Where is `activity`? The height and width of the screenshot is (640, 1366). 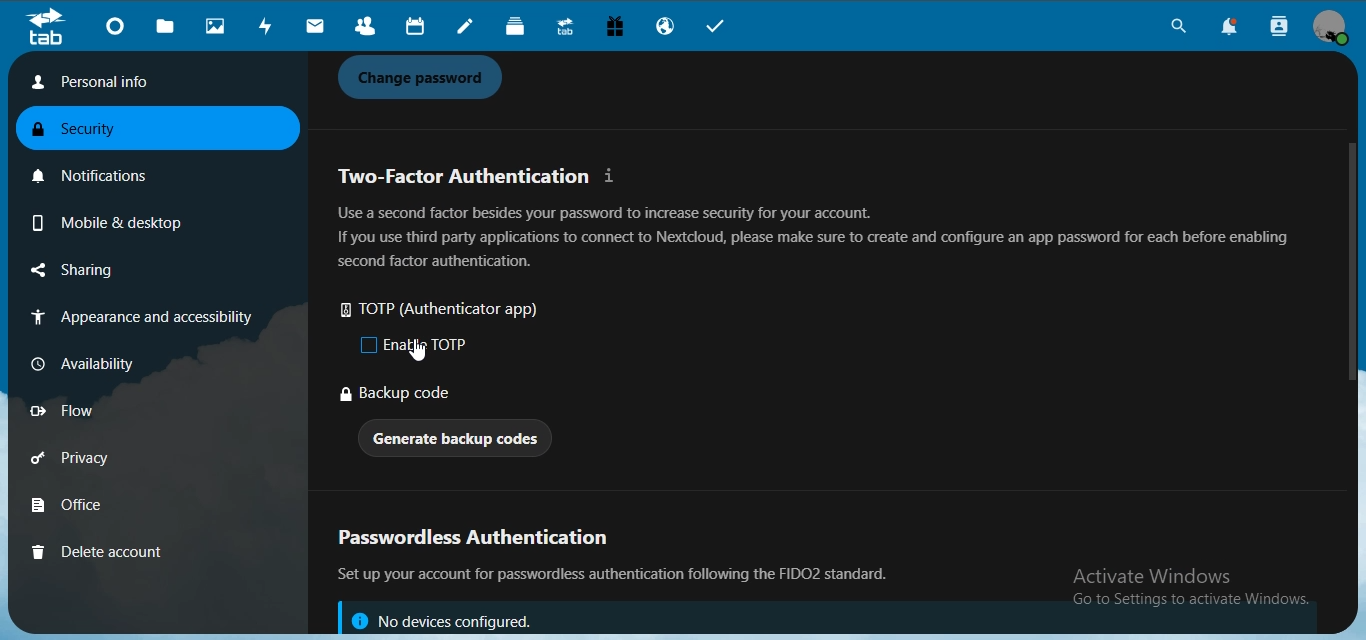
activity is located at coordinates (269, 26).